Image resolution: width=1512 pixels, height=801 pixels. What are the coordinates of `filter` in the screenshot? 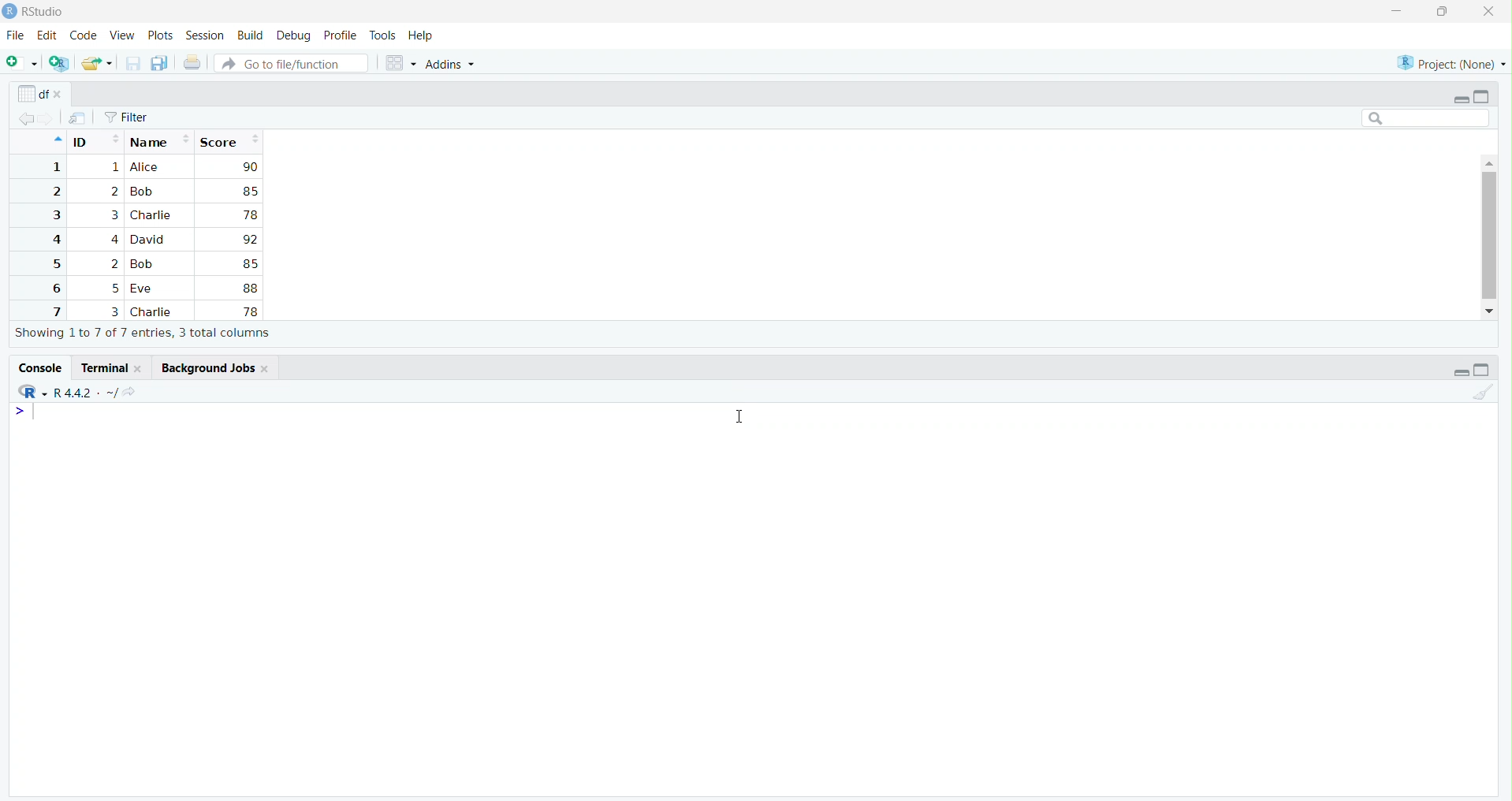 It's located at (127, 117).